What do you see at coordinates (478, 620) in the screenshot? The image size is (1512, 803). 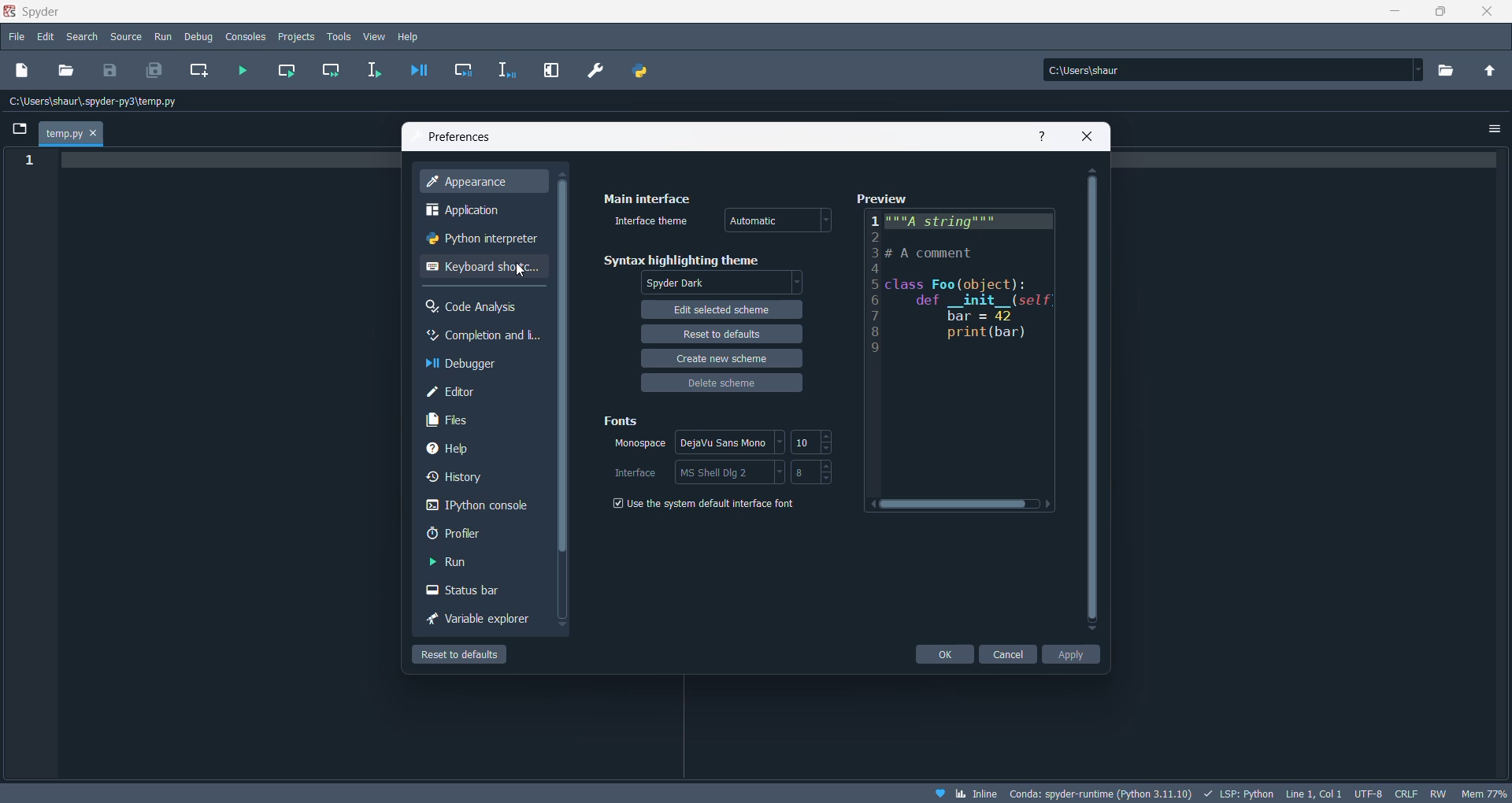 I see `variable explore` at bounding box center [478, 620].